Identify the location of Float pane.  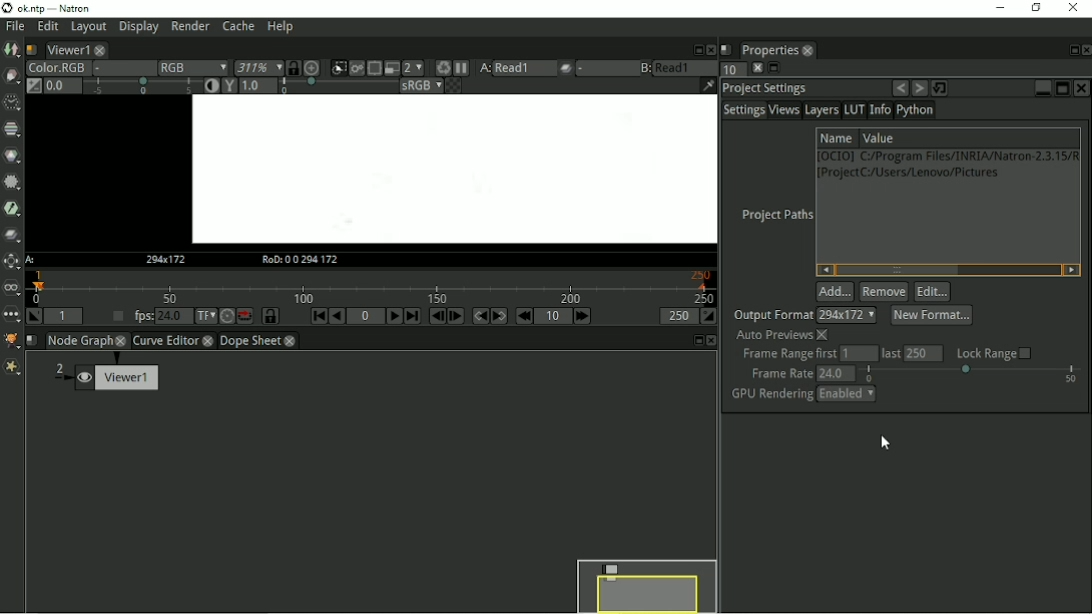
(696, 341).